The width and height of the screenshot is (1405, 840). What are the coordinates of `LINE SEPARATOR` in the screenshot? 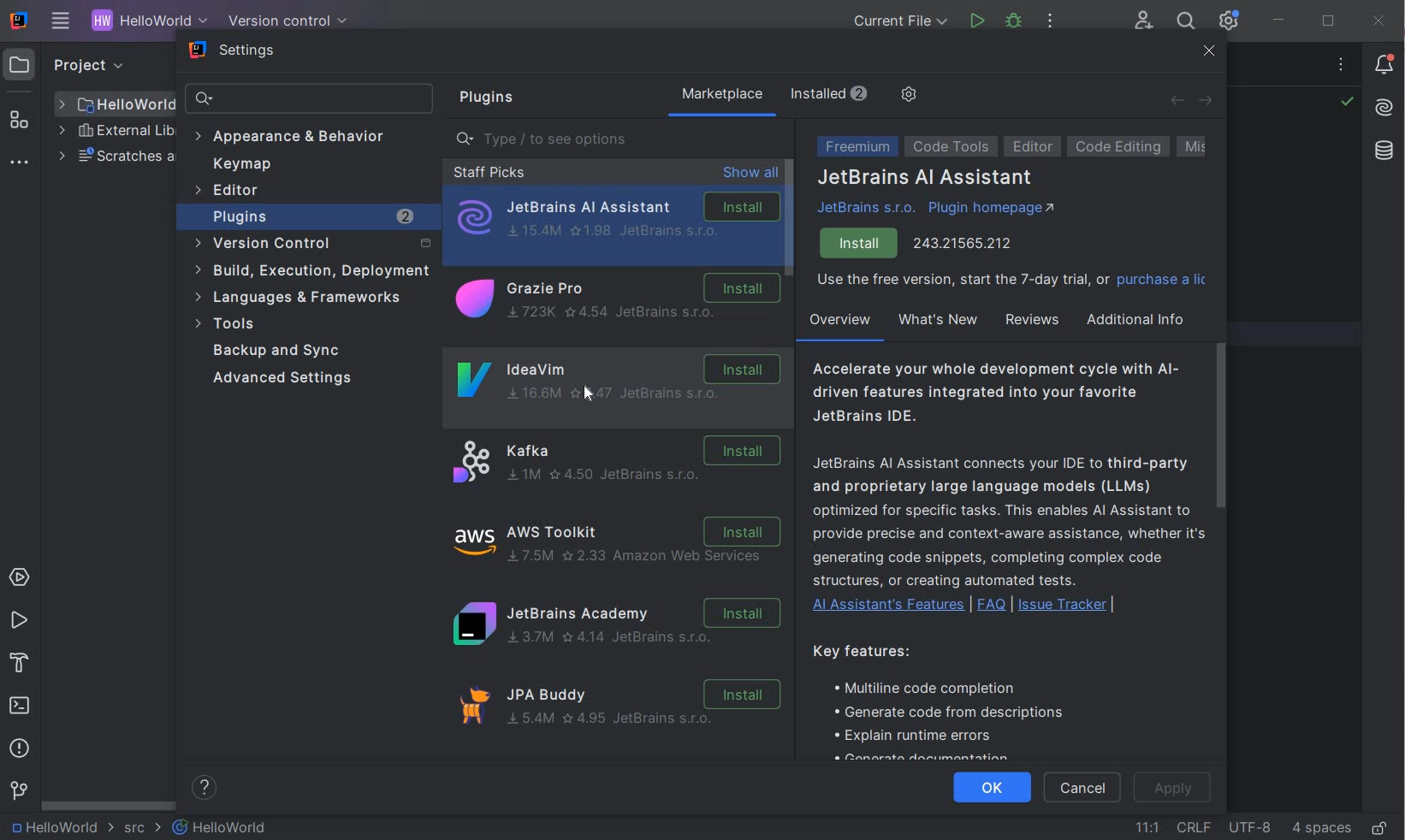 It's located at (1193, 827).